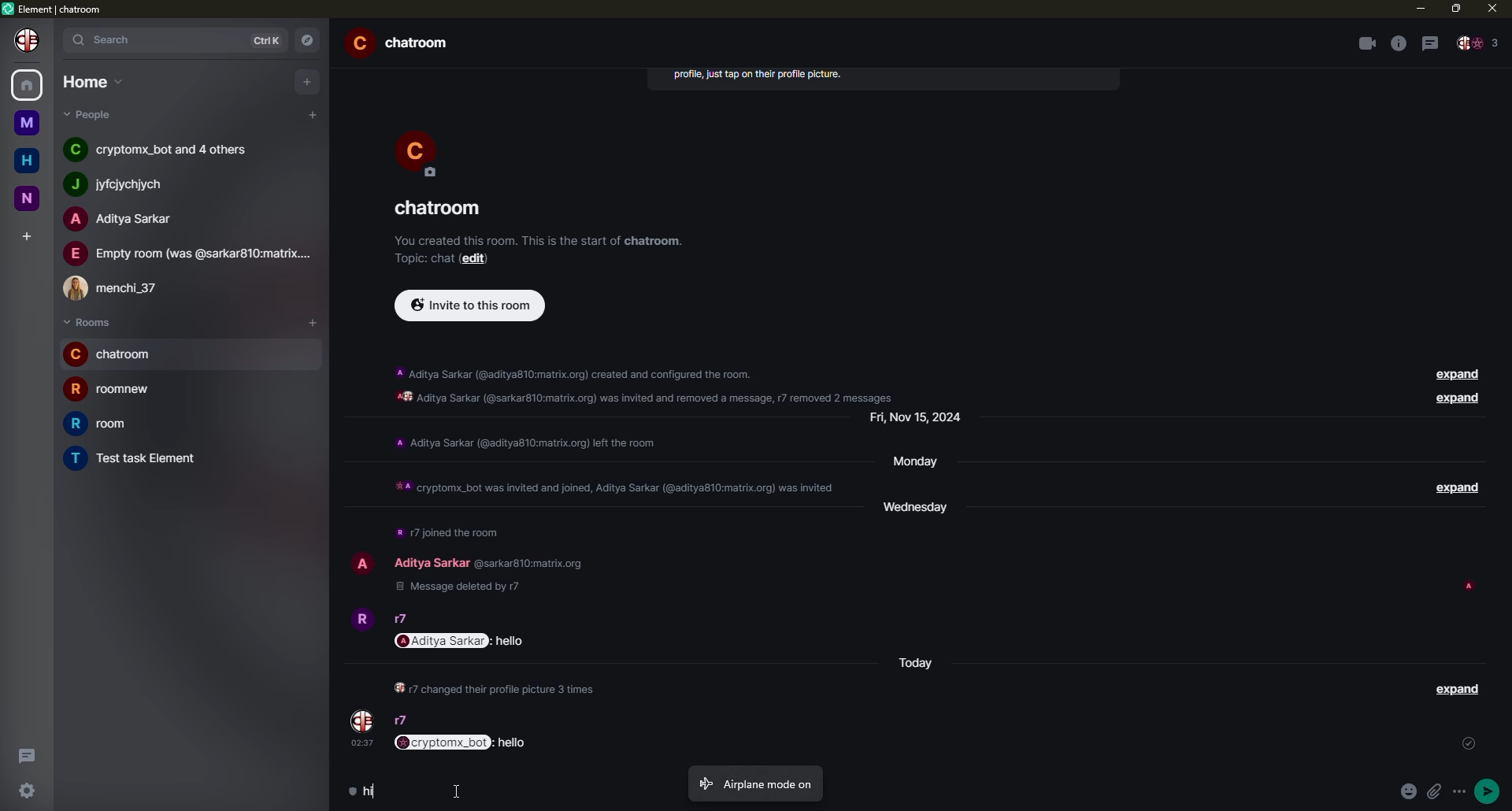 This screenshot has width=1512, height=811. Describe the element at coordinates (419, 152) in the screenshot. I see `profile` at that location.